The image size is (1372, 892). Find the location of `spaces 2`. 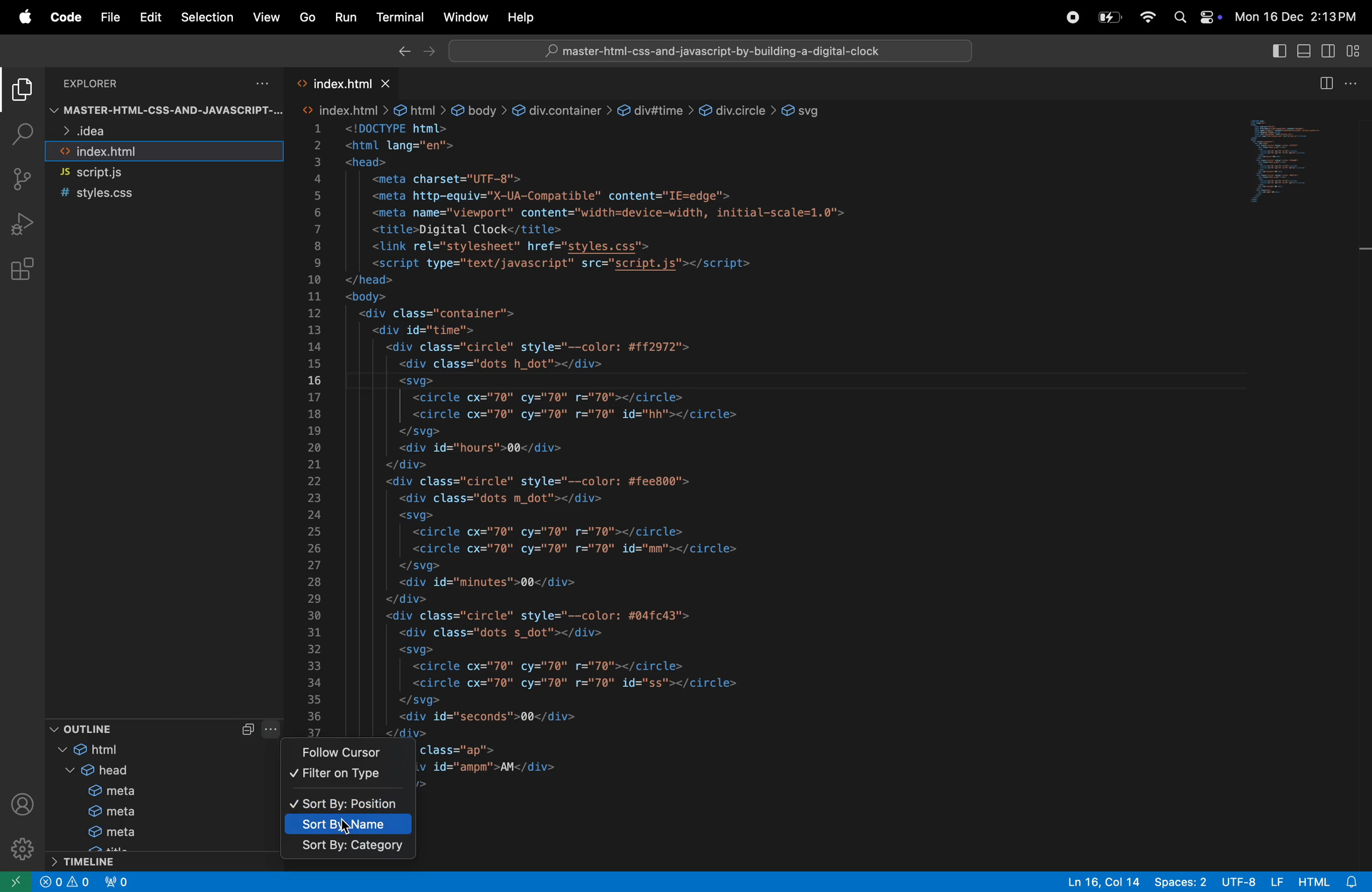

spaces 2 is located at coordinates (1182, 882).